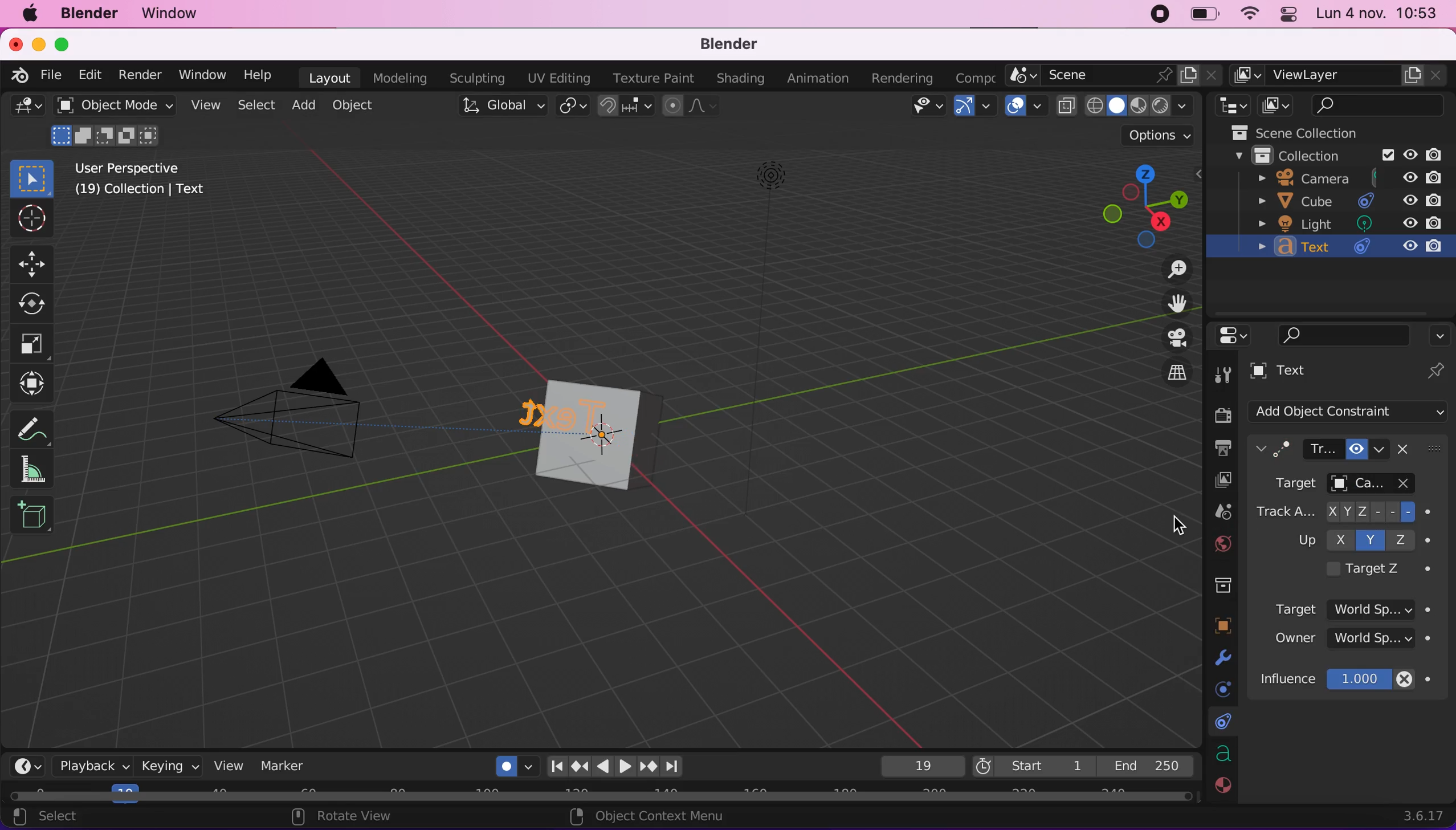 The width and height of the screenshot is (1456, 830). I want to click on target z, so click(1372, 569).